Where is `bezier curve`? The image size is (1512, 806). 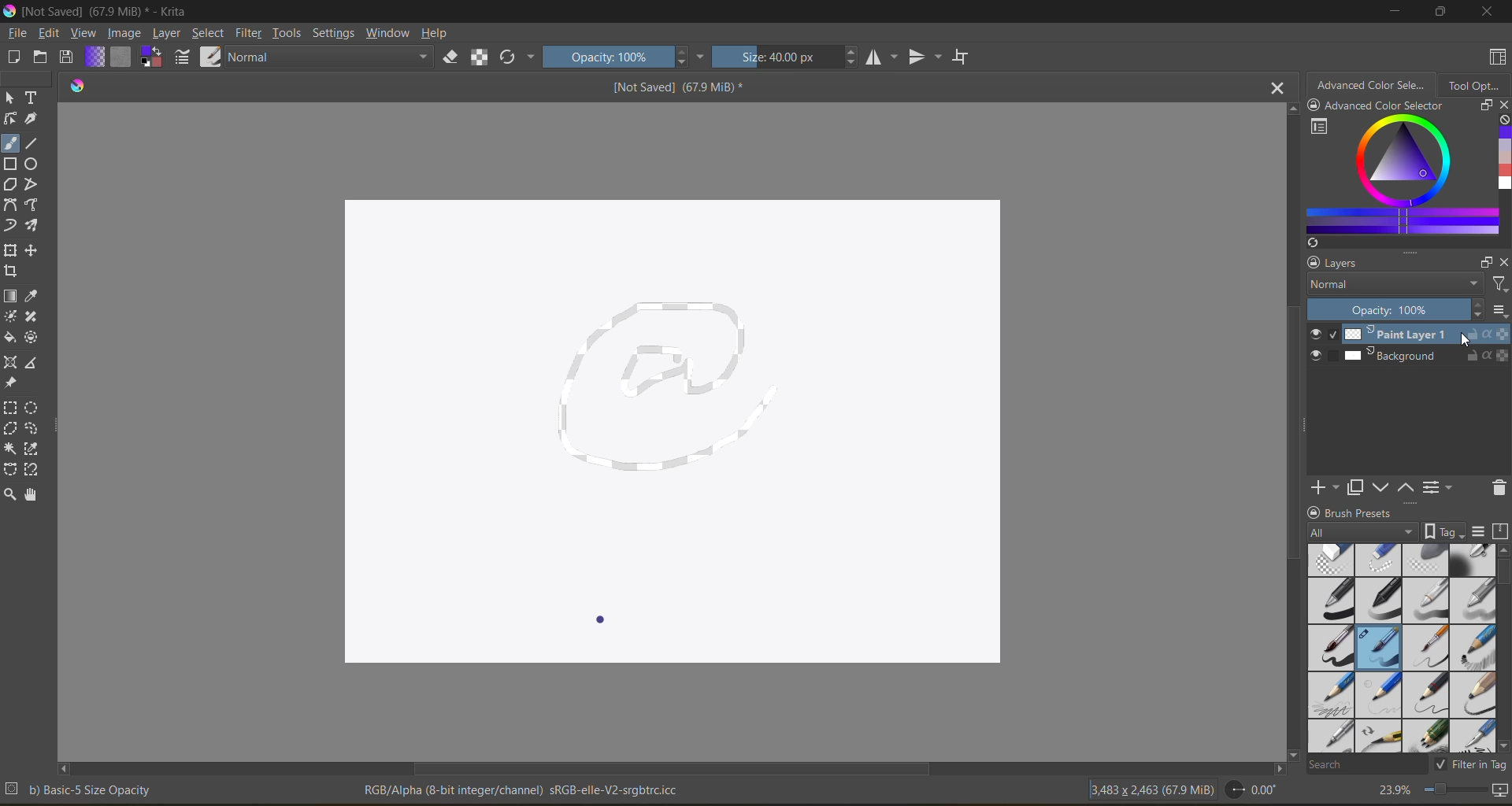
bezier curve is located at coordinates (9, 205).